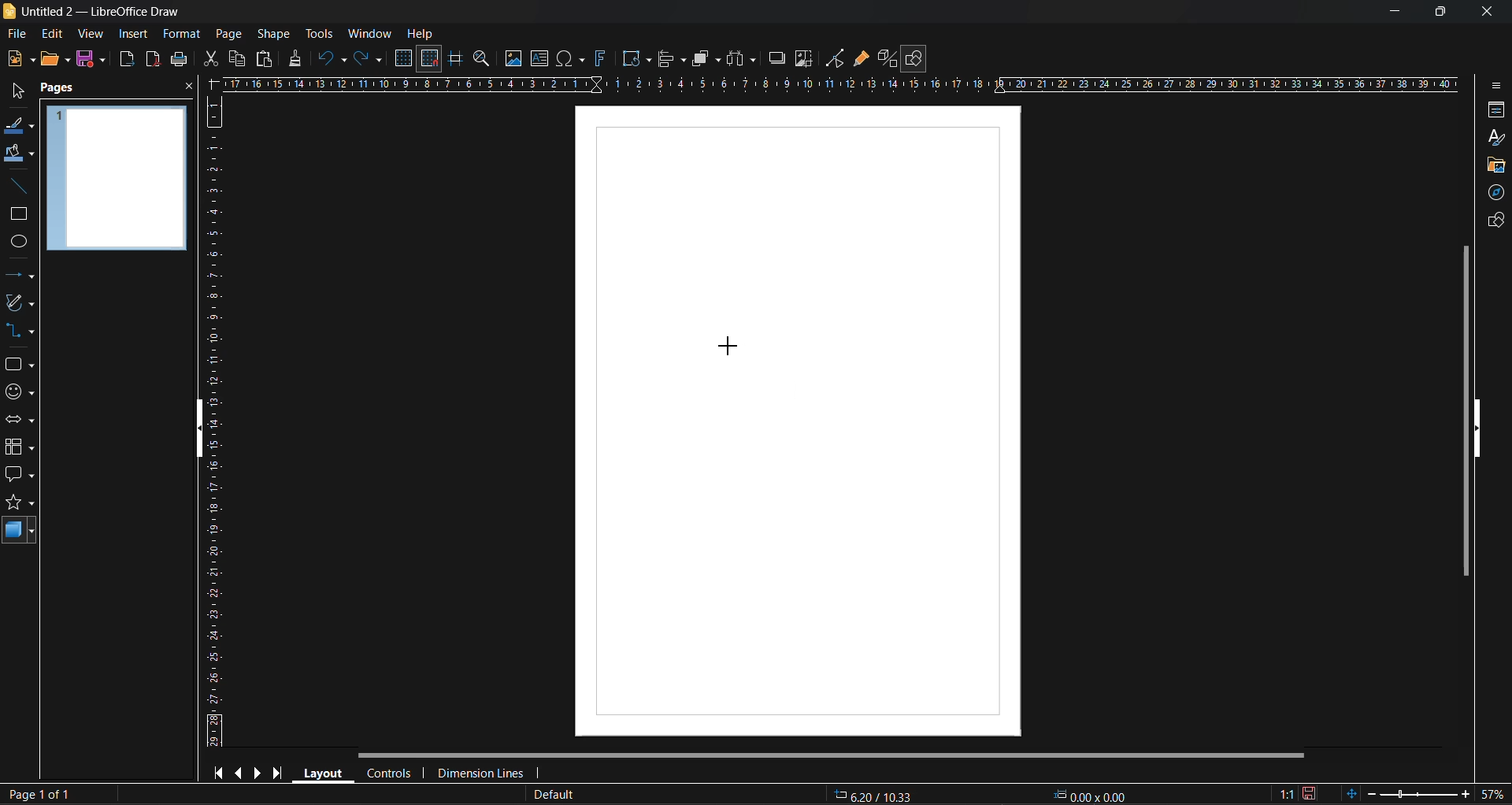 The height and width of the screenshot is (805, 1512). What do you see at coordinates (296, 58) in the screenshot?
I see `clone formatting` at bounding box center [296, 58].